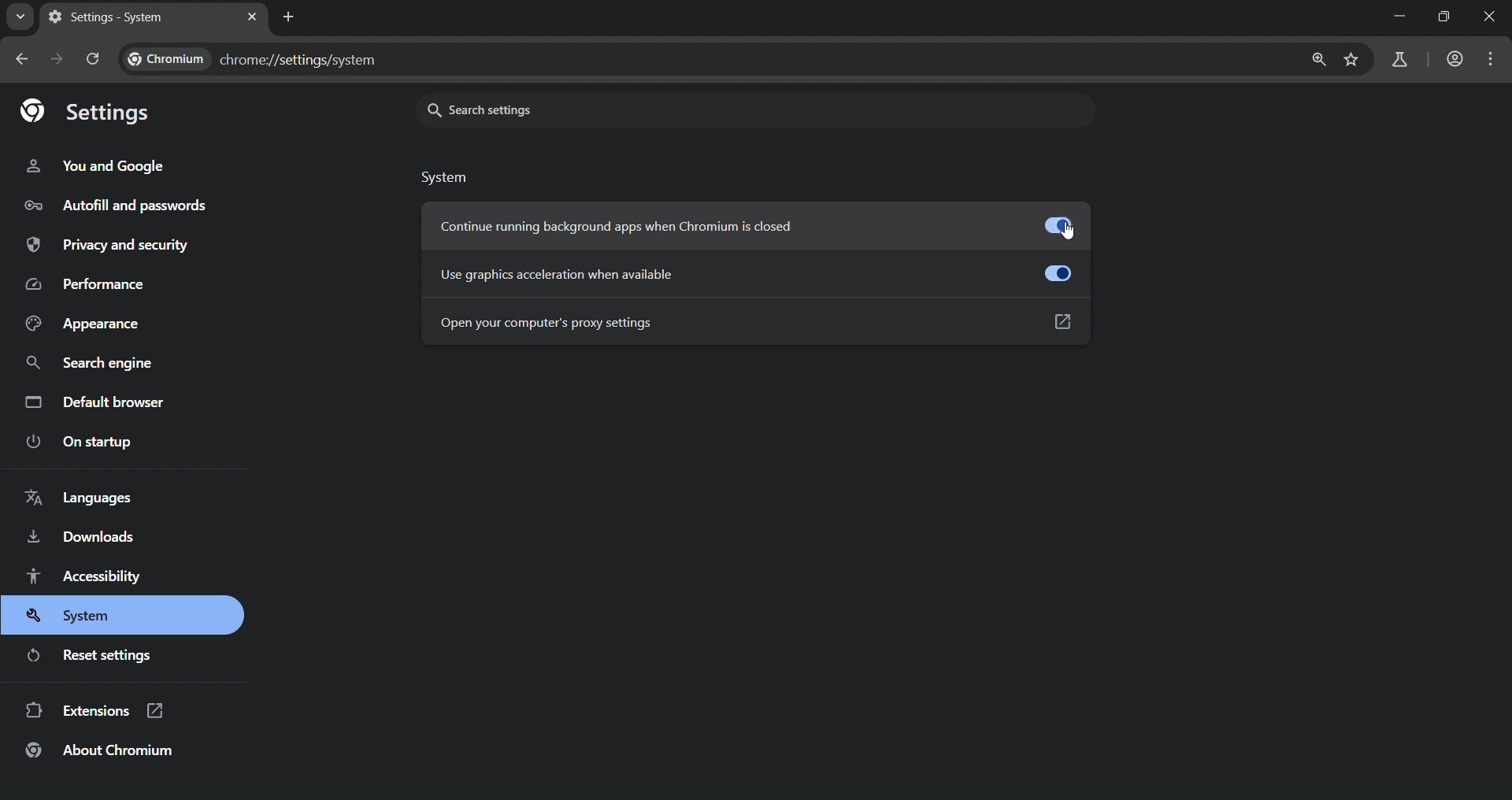 The width and height of the screenshot is (1512, 800). What do you see at coordinates (1495, 59) in the screenshot?
I see `menu` at bounding box center [1495, 59].